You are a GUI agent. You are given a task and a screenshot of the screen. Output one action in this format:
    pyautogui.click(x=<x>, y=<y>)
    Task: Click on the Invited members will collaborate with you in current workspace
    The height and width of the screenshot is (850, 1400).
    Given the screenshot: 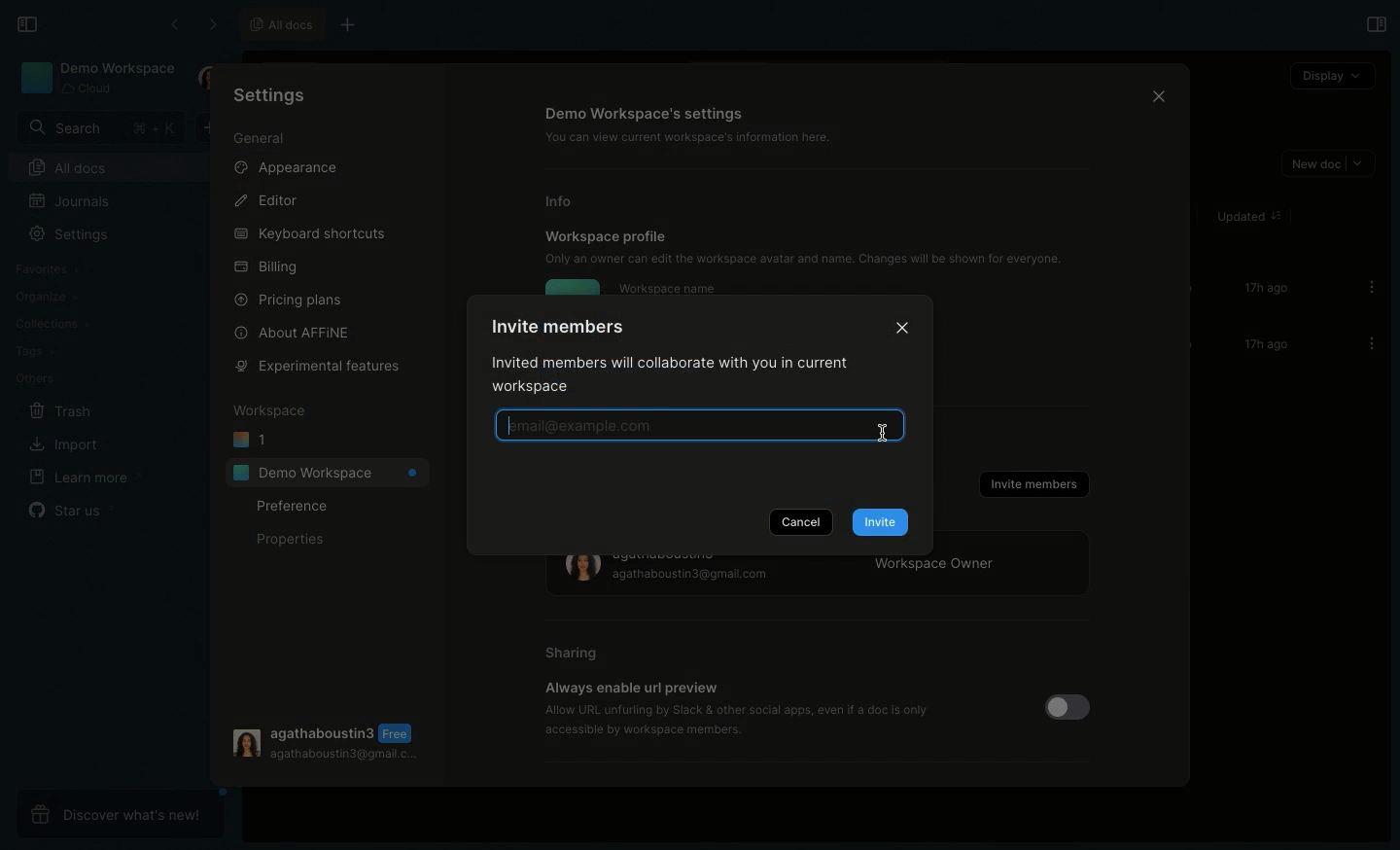 What is the action you would take?
    pyautogui.click(x=679, y=377)
    